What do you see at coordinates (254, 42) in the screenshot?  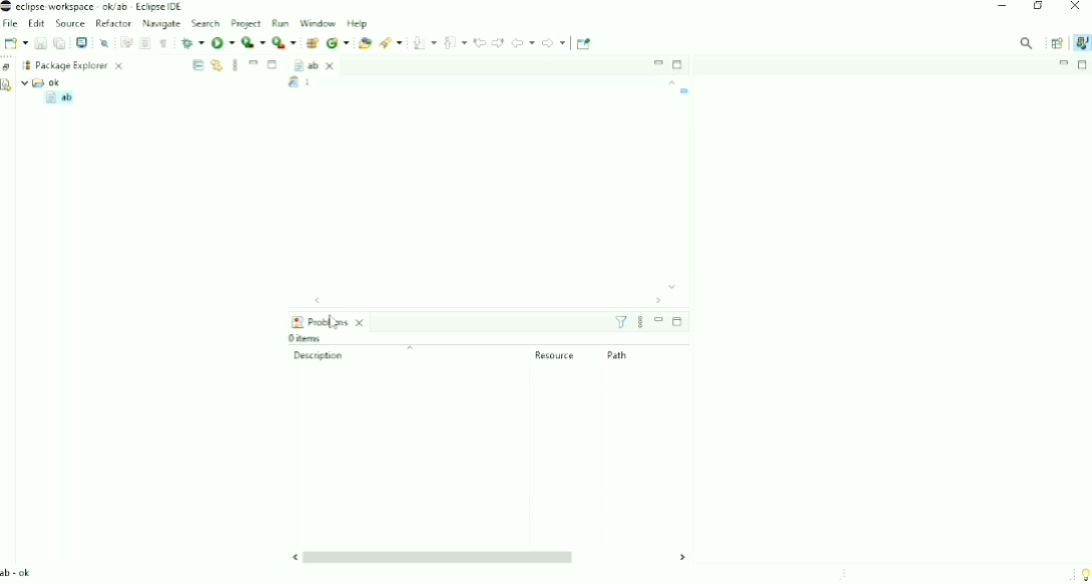 I see `Coverage` at bounding box center [254, 42].